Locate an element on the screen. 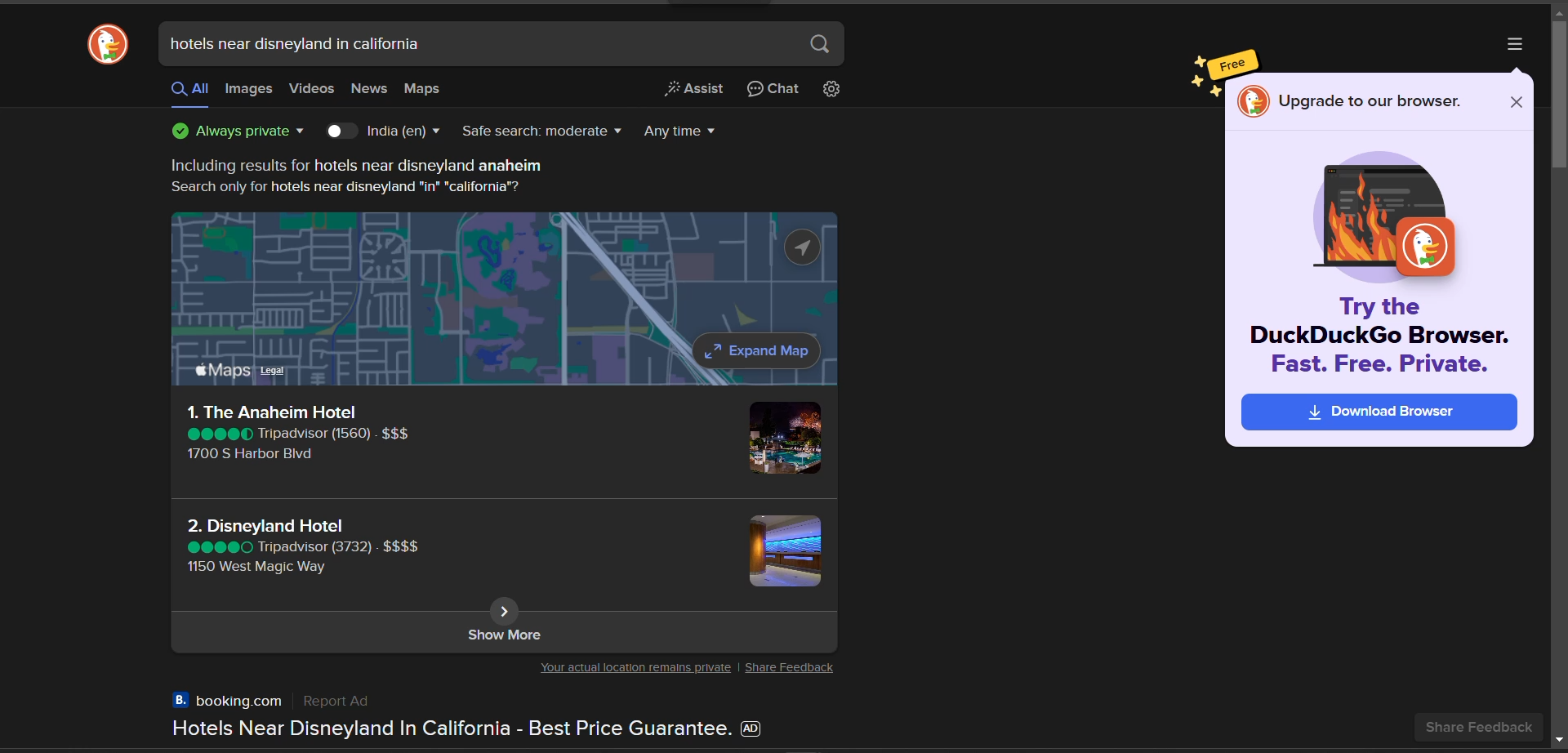  safe search filter is located at coordinates (540, 135).